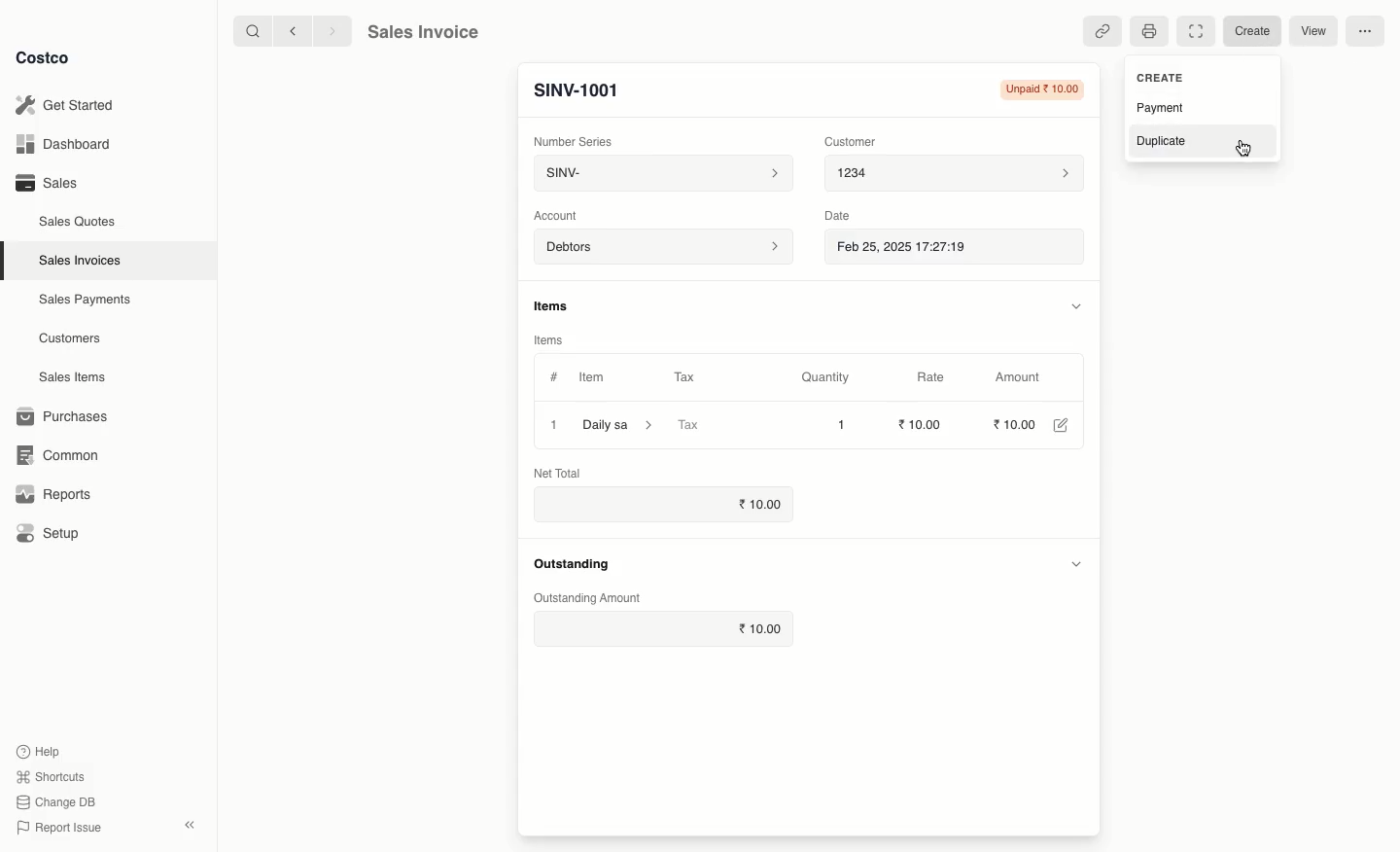 This screenshot has width=1400, height=852. I want to click on Hide, so click(1077, 564).